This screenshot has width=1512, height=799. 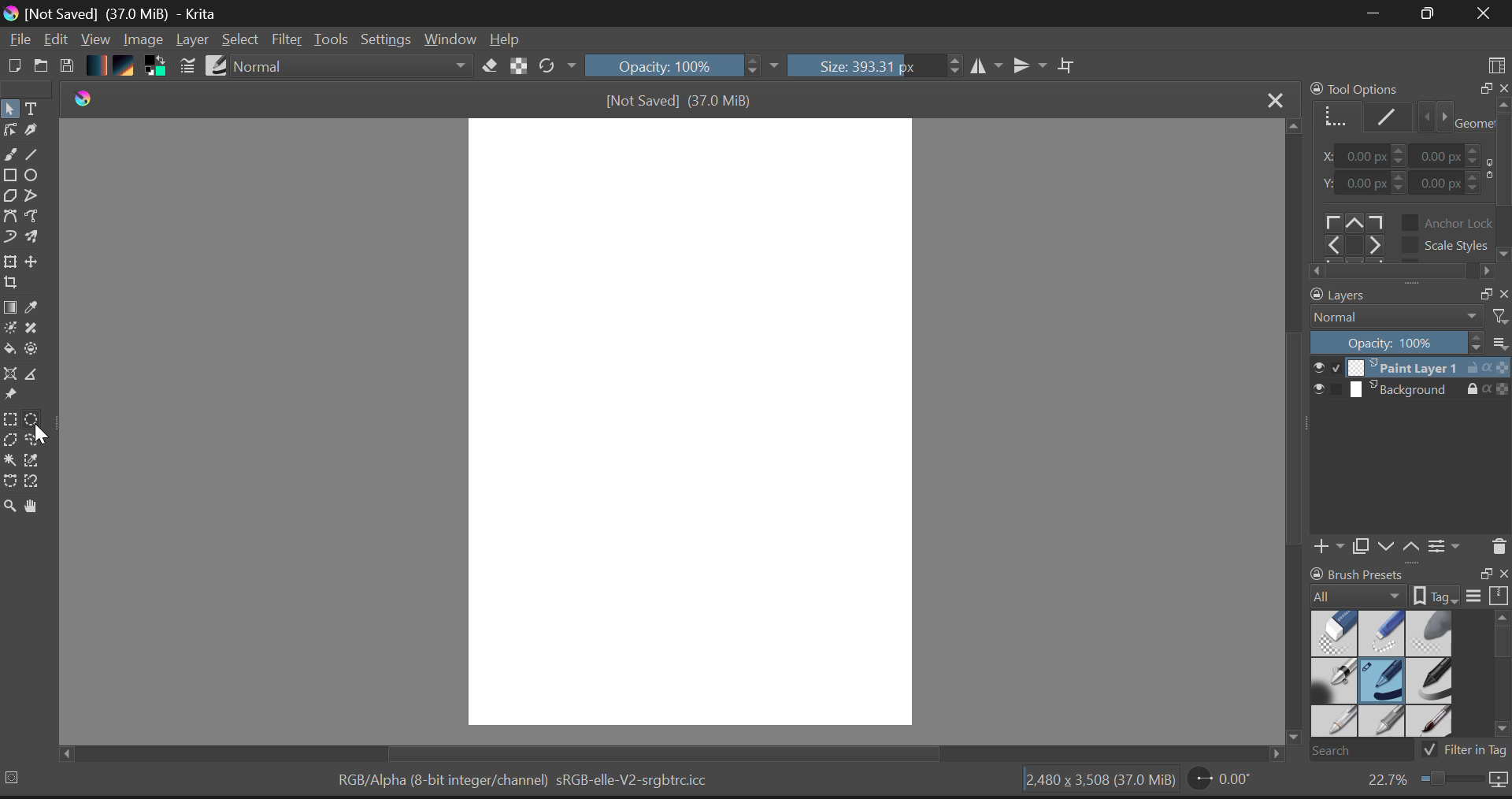 What do you see at coordinates (37, 349) in the screenshot?
I see `Enclose and Fill` at bounding box center [37, 349].